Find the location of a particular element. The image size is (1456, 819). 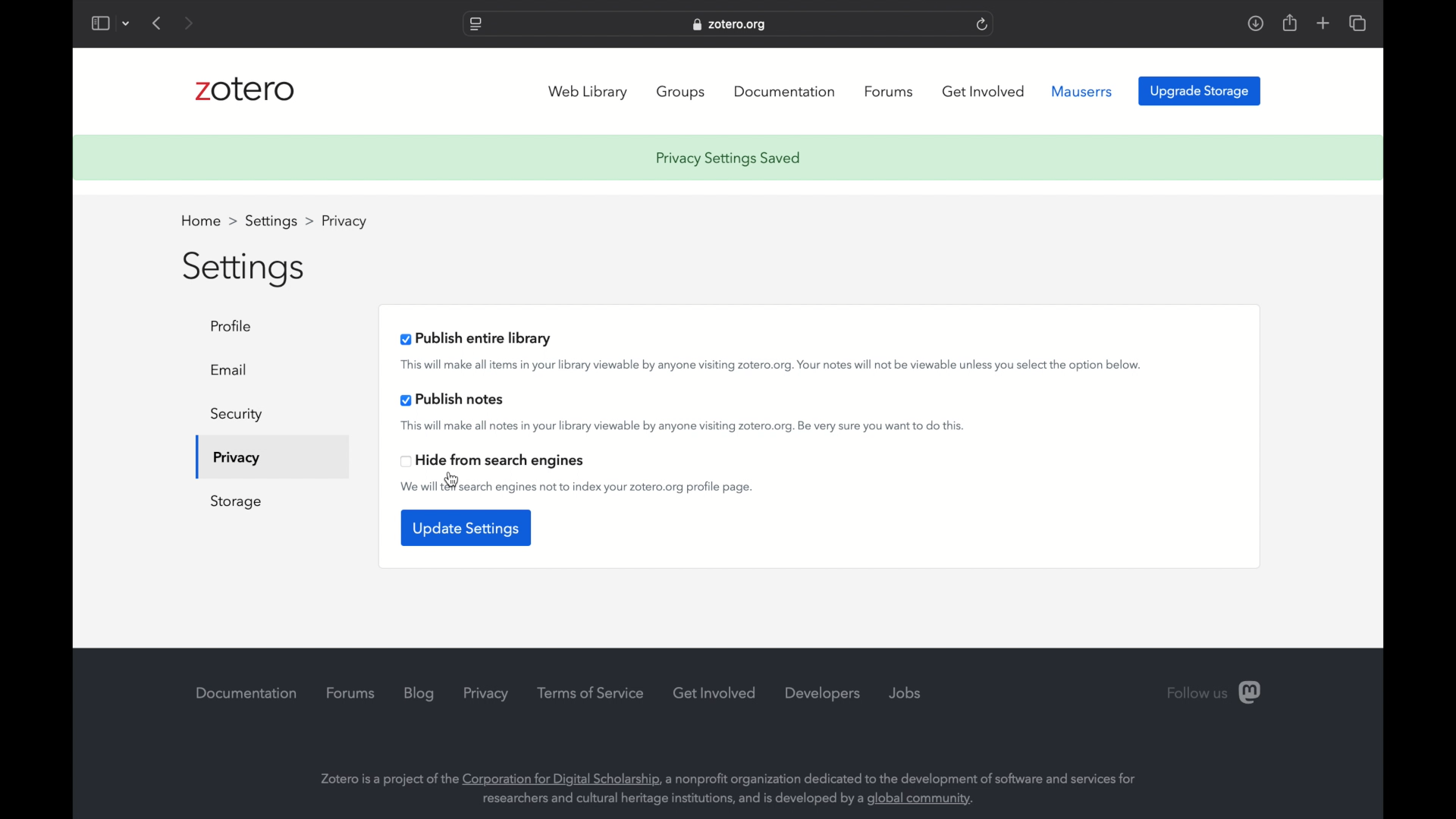

we will tell search engines not to index your zotero.org profile page is located at coordinates (578, 486).